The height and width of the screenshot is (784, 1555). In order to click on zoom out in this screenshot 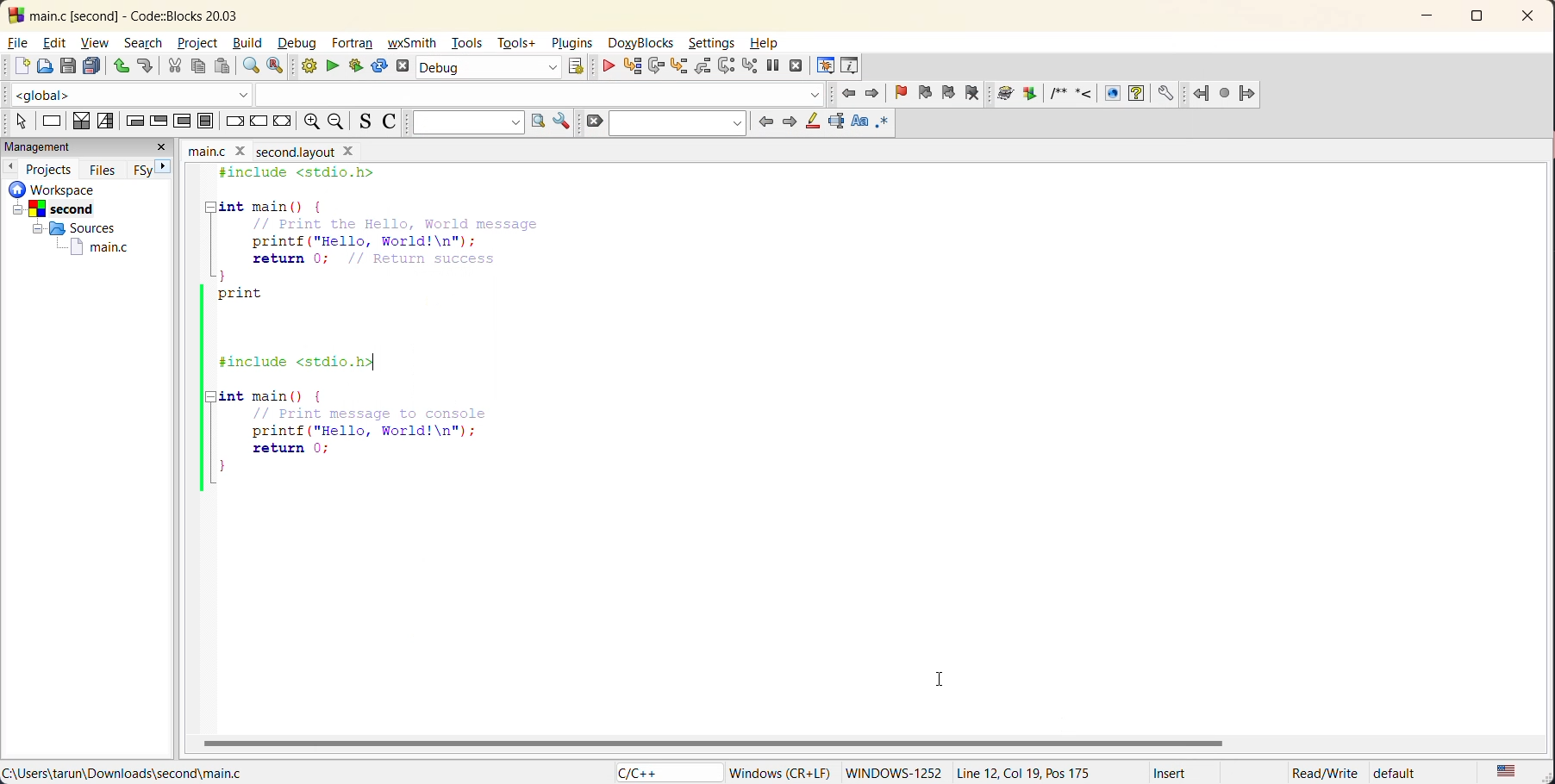, I will do `click(340, 122)`.